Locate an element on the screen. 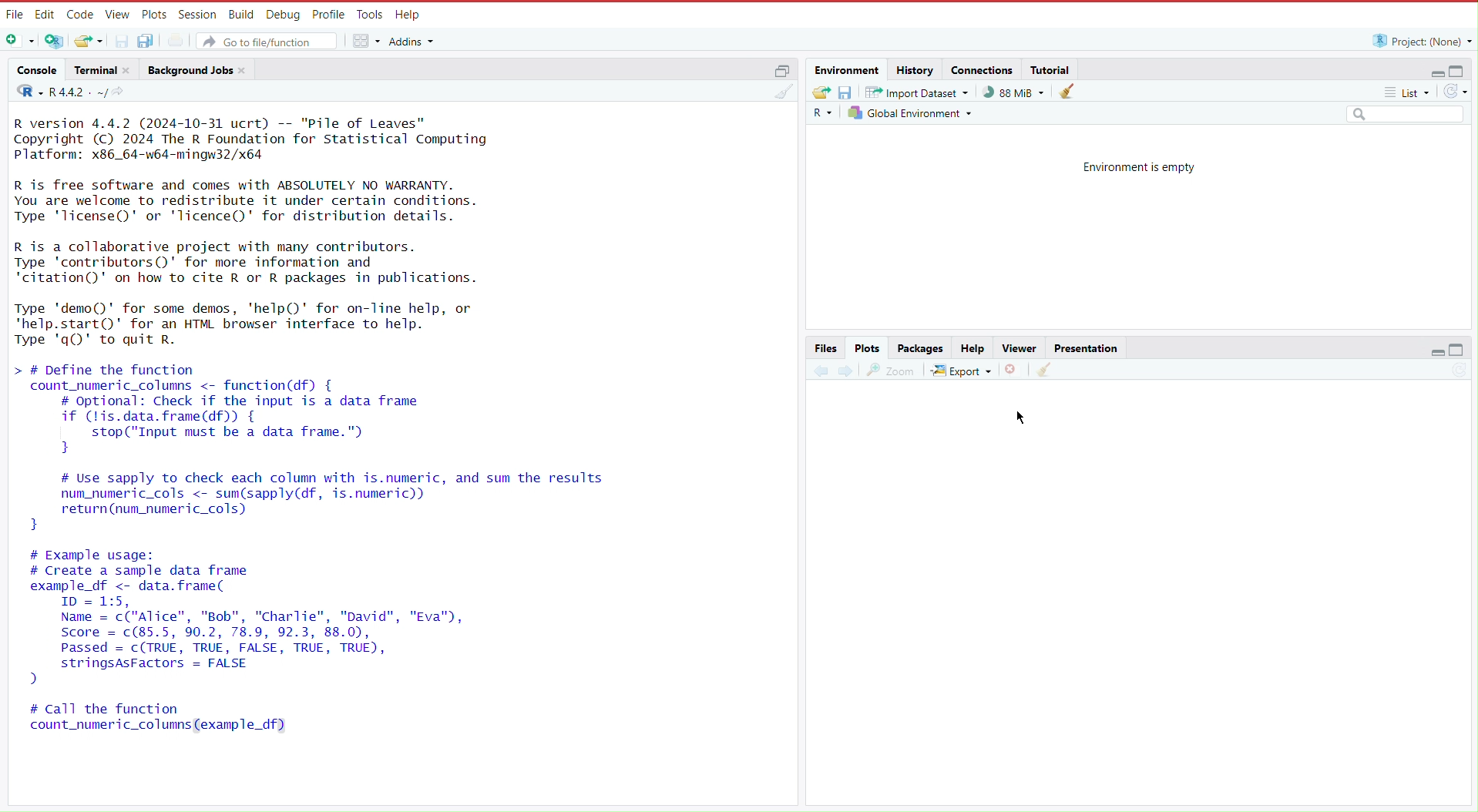 This screenshot has height=812, width=1478. List is located at coordinates (1409, 95).